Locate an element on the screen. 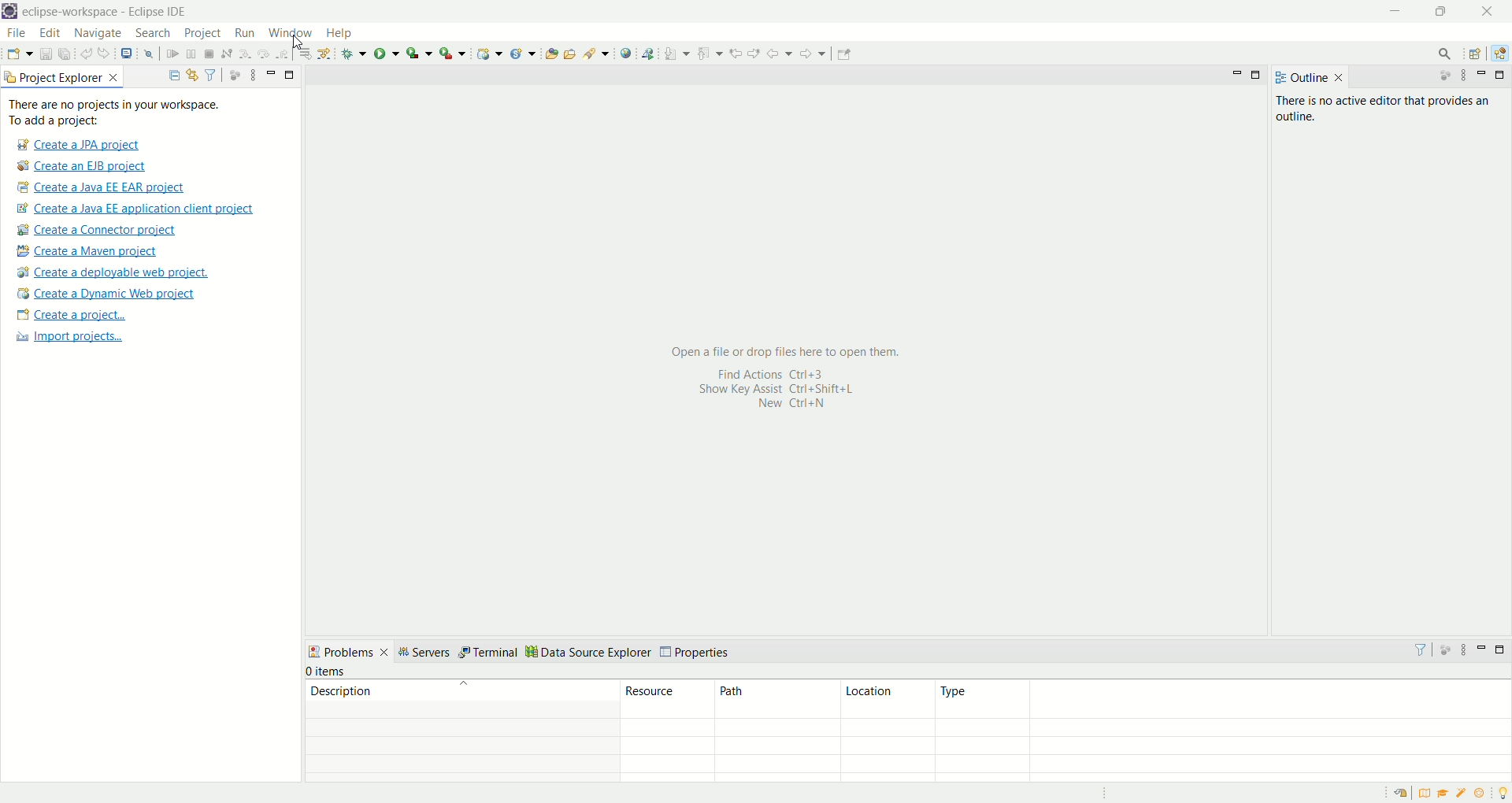 The width and height of the screenshot is (1512, 803). previous annotation is located at coordinates (713, 52).